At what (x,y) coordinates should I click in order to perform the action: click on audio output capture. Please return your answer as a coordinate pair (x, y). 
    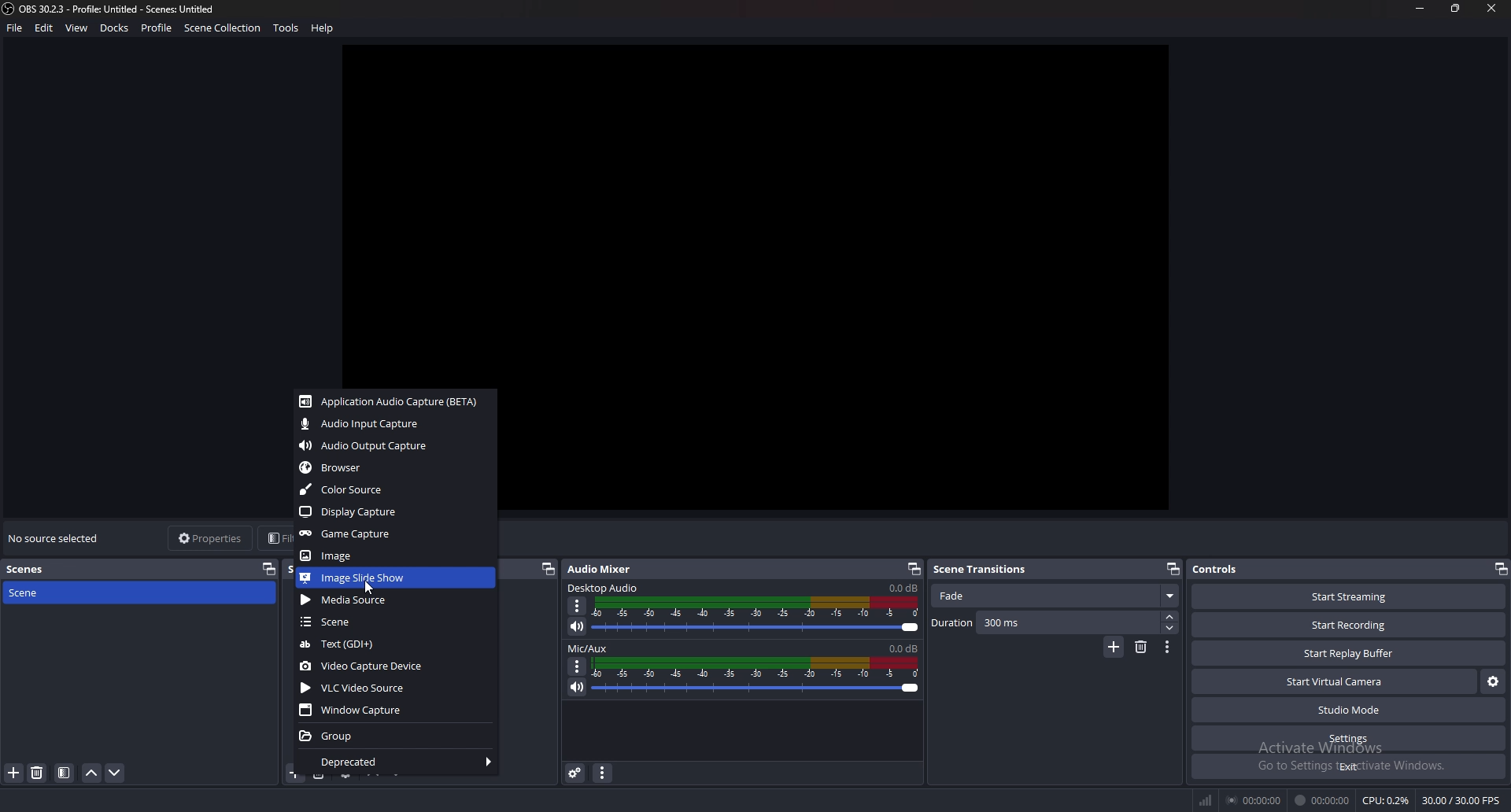
    Looking at the image, I should click on (394, 446).